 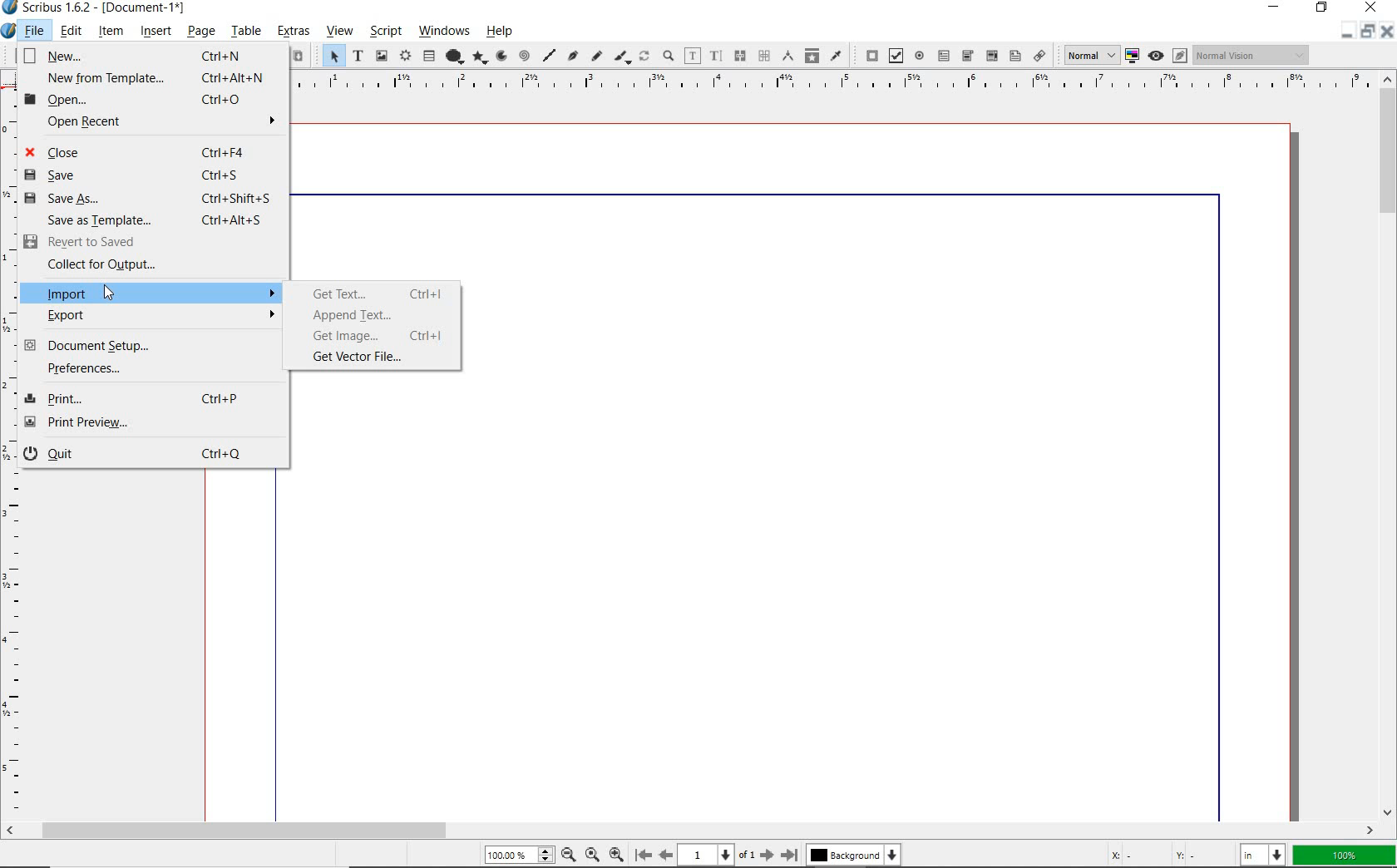 I want to click on Print Preview..., so click(x=151, y=424).